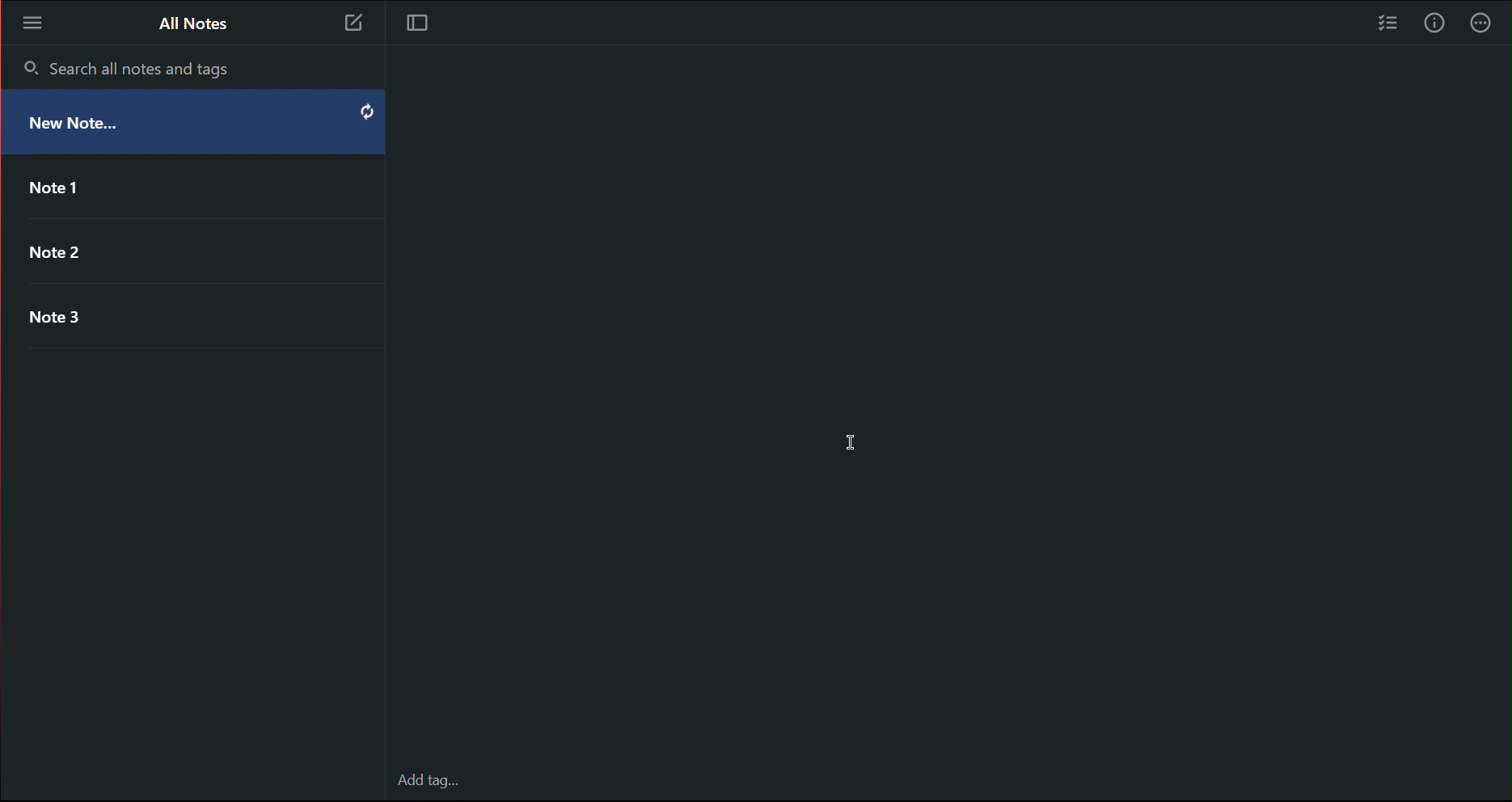  Describe the element at coordinates (183, 184) in the screenshot. I see `Note 1` at that location.